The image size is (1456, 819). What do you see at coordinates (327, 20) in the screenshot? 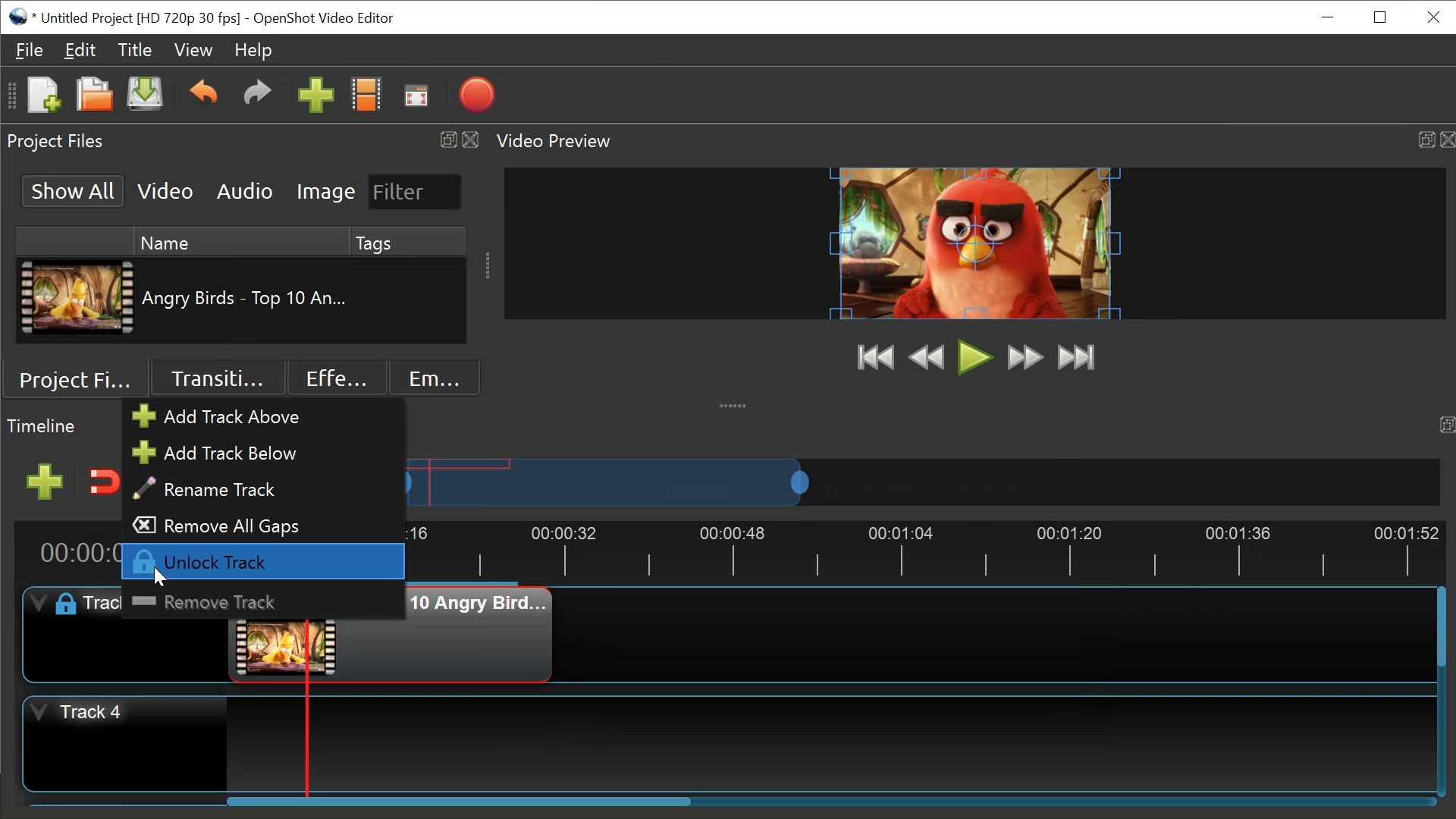
I see `OpenShot Video Editor` at bounding box center [327, 20].